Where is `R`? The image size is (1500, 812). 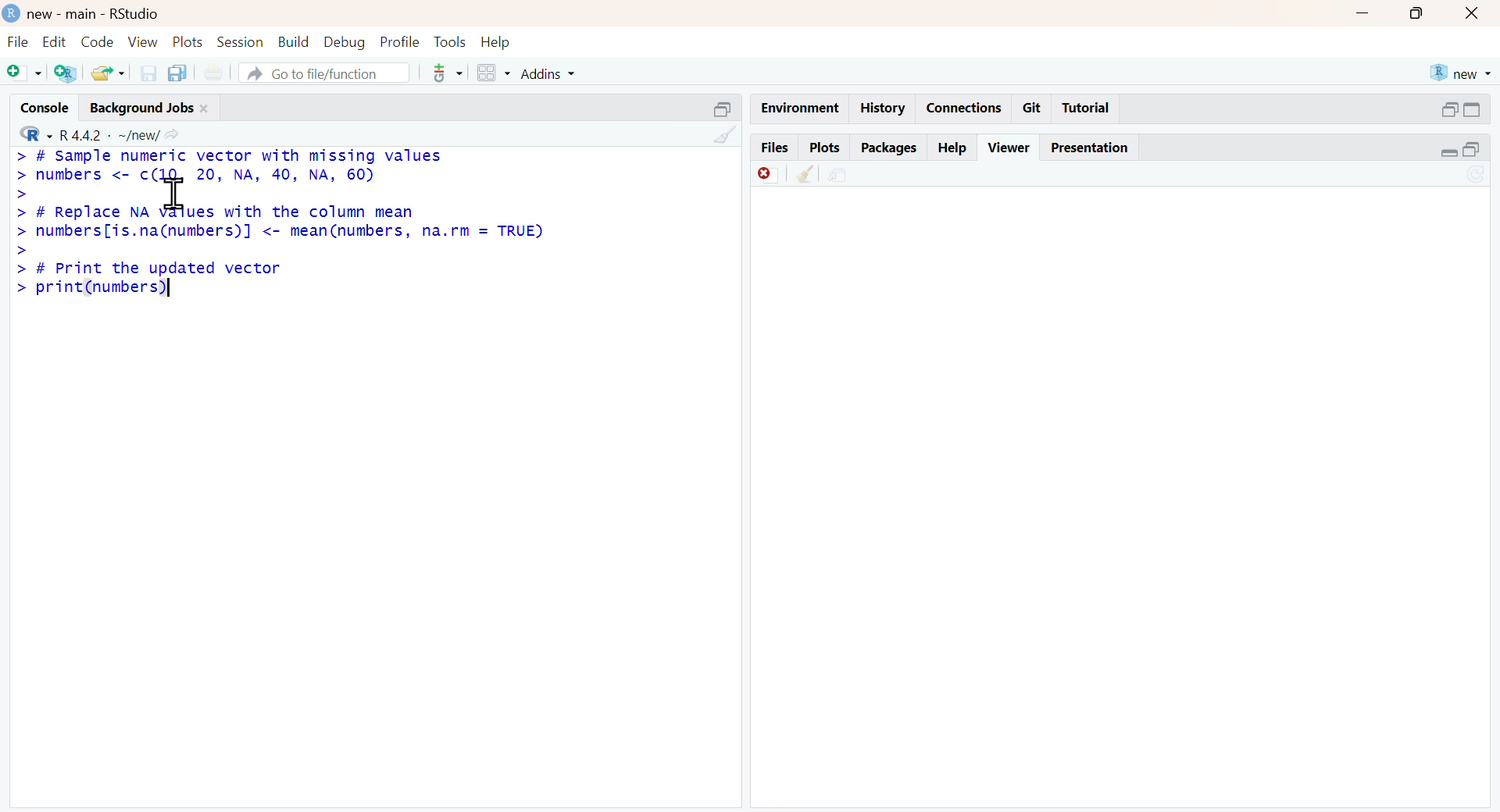
R is located at coordinates (37, 134).